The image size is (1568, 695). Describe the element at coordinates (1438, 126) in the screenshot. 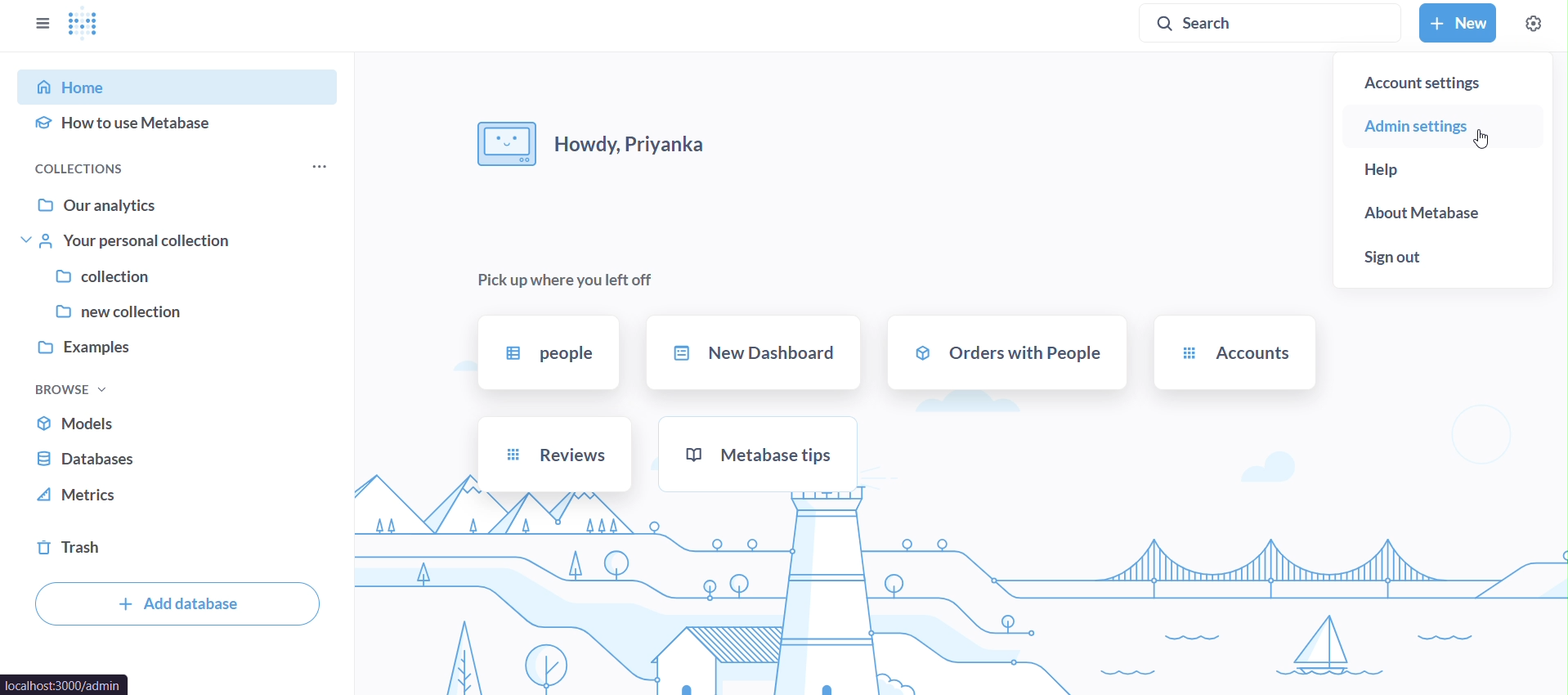

I see `Admin settings ` at that location.